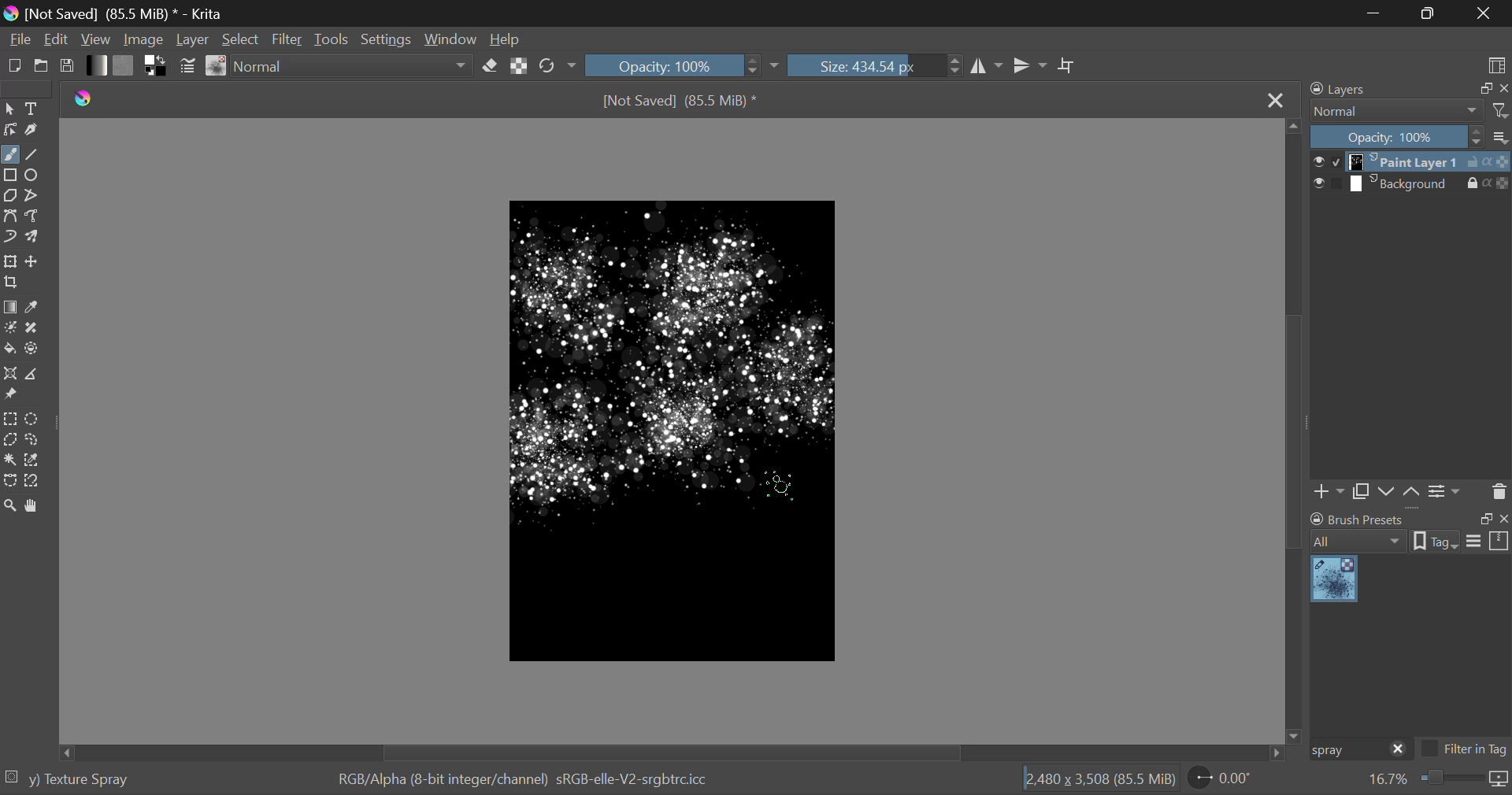  I want to click on Crop Layer, so click(13, 283).